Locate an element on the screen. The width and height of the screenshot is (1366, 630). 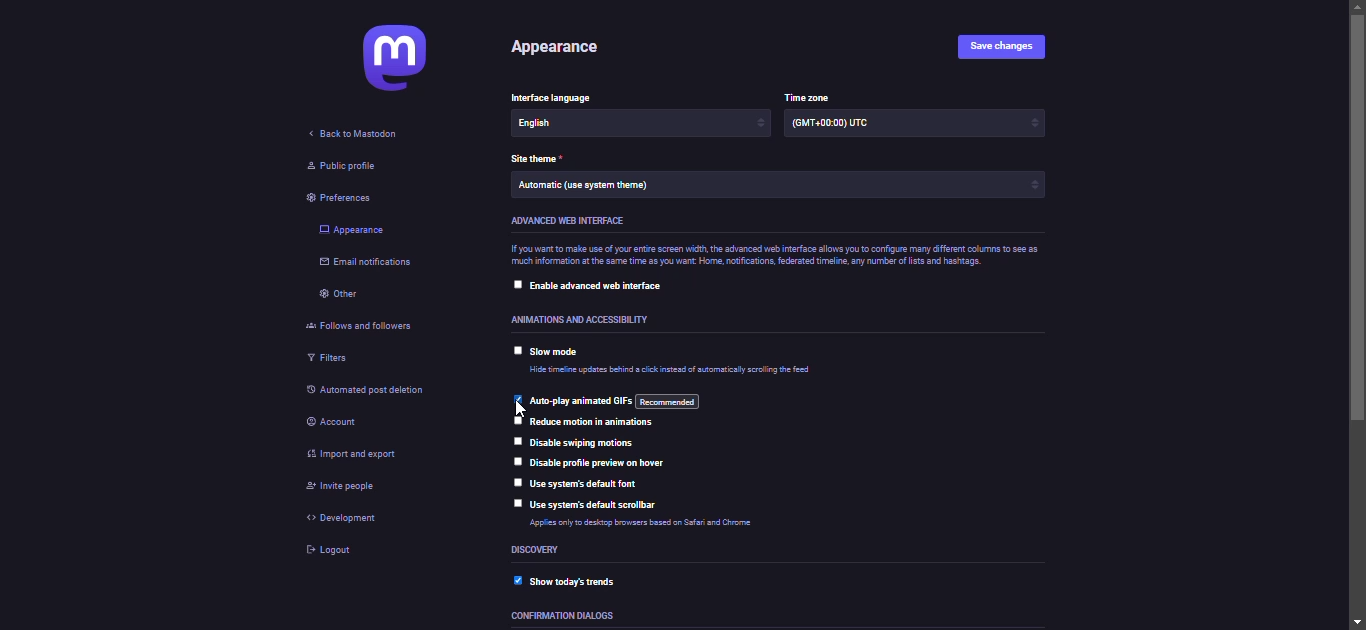
use system's default scrollbar is located at coordinates (588, 504).